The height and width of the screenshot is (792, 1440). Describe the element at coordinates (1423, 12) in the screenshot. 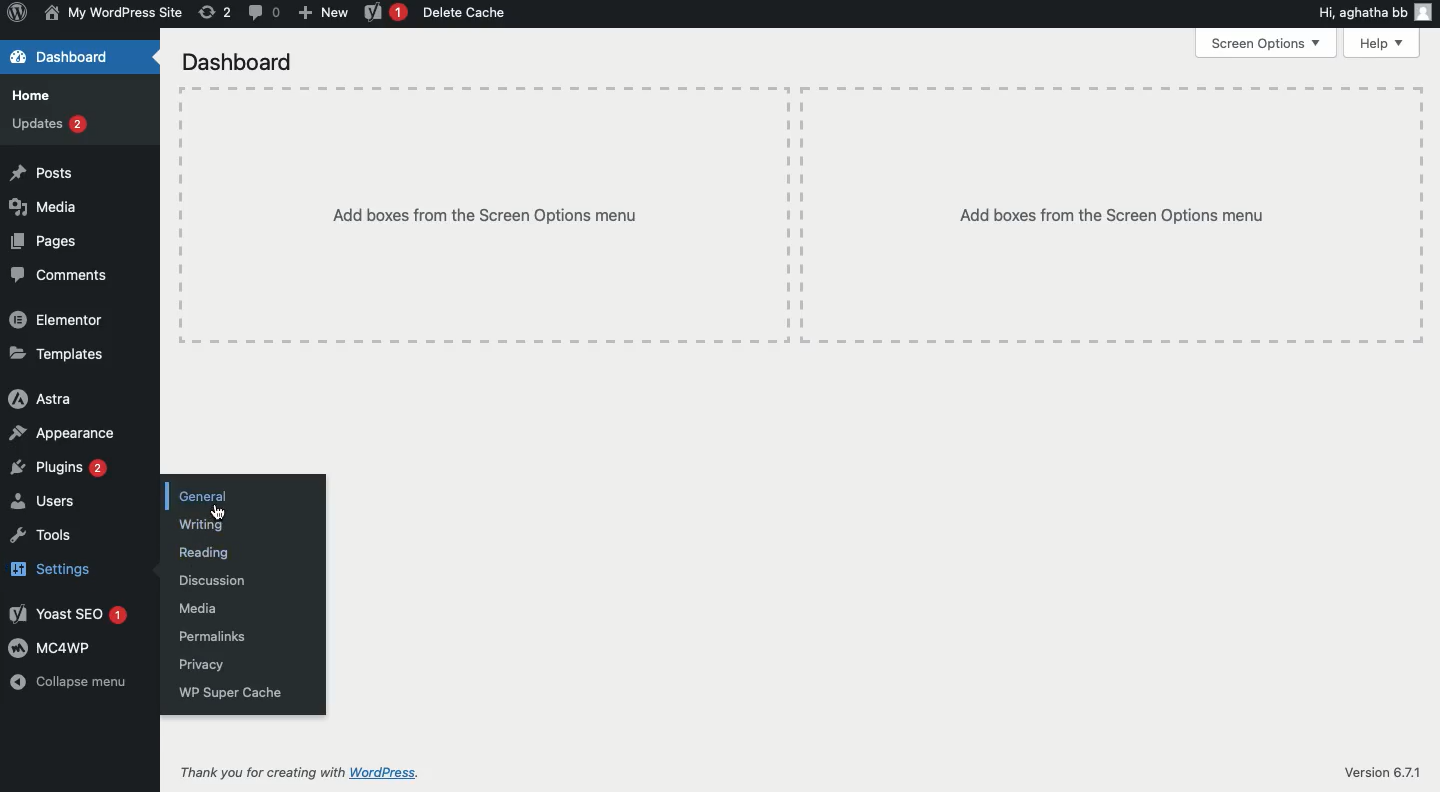

I see `user icon` at that location.